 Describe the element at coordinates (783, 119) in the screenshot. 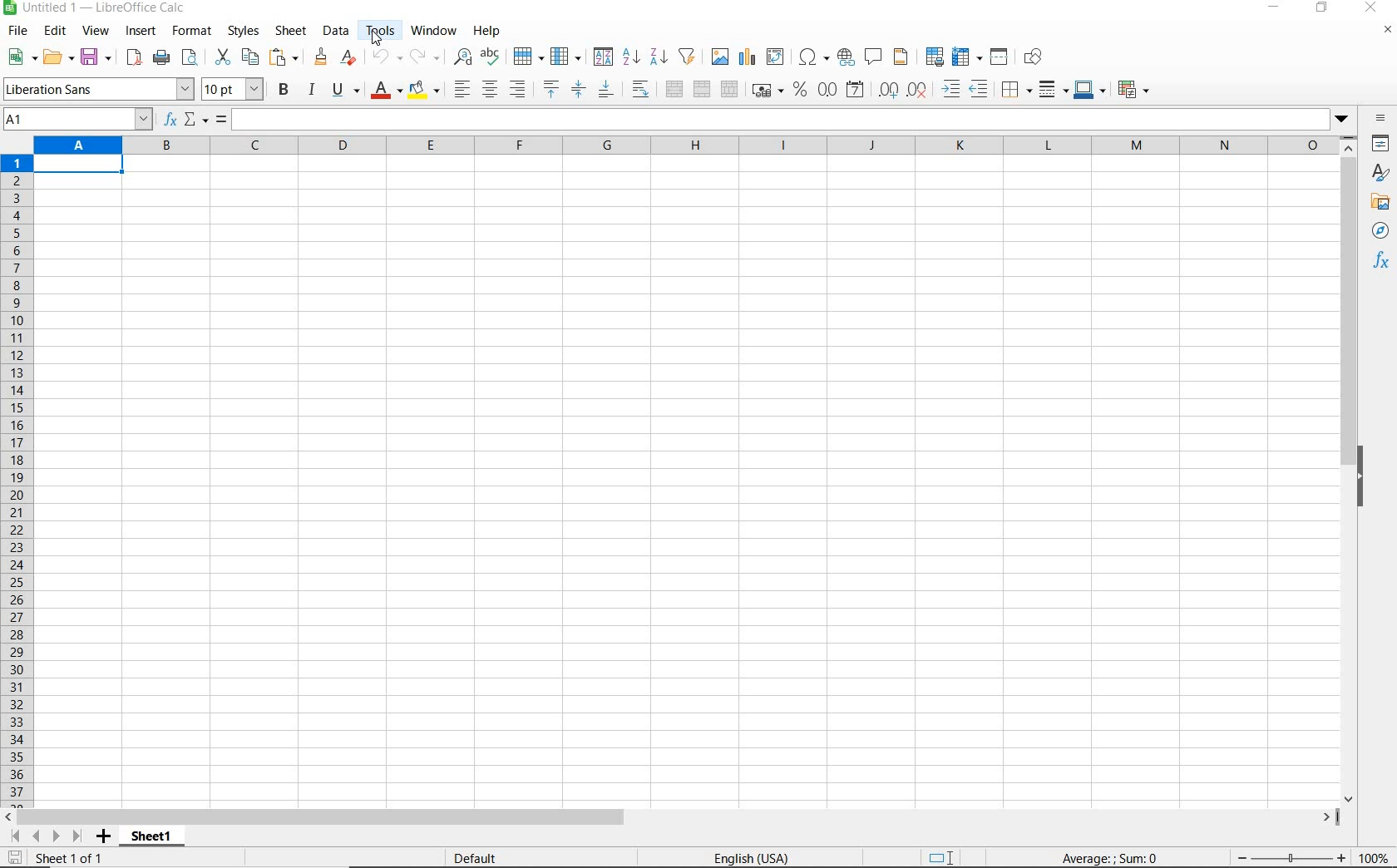

I see `Input line         ` at that location.